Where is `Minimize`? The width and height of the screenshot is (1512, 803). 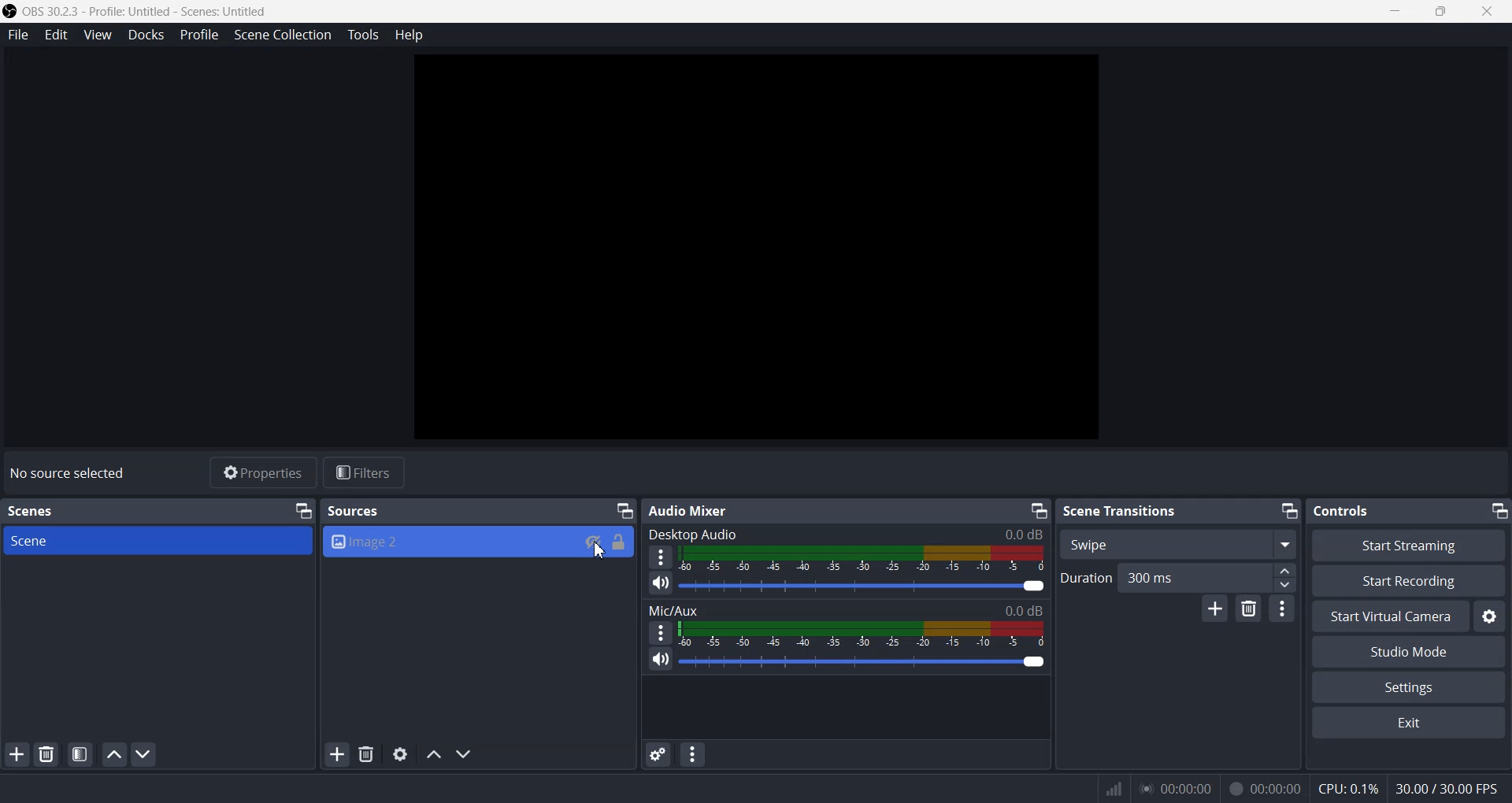 Minimize is located at coordinates (298, 509).